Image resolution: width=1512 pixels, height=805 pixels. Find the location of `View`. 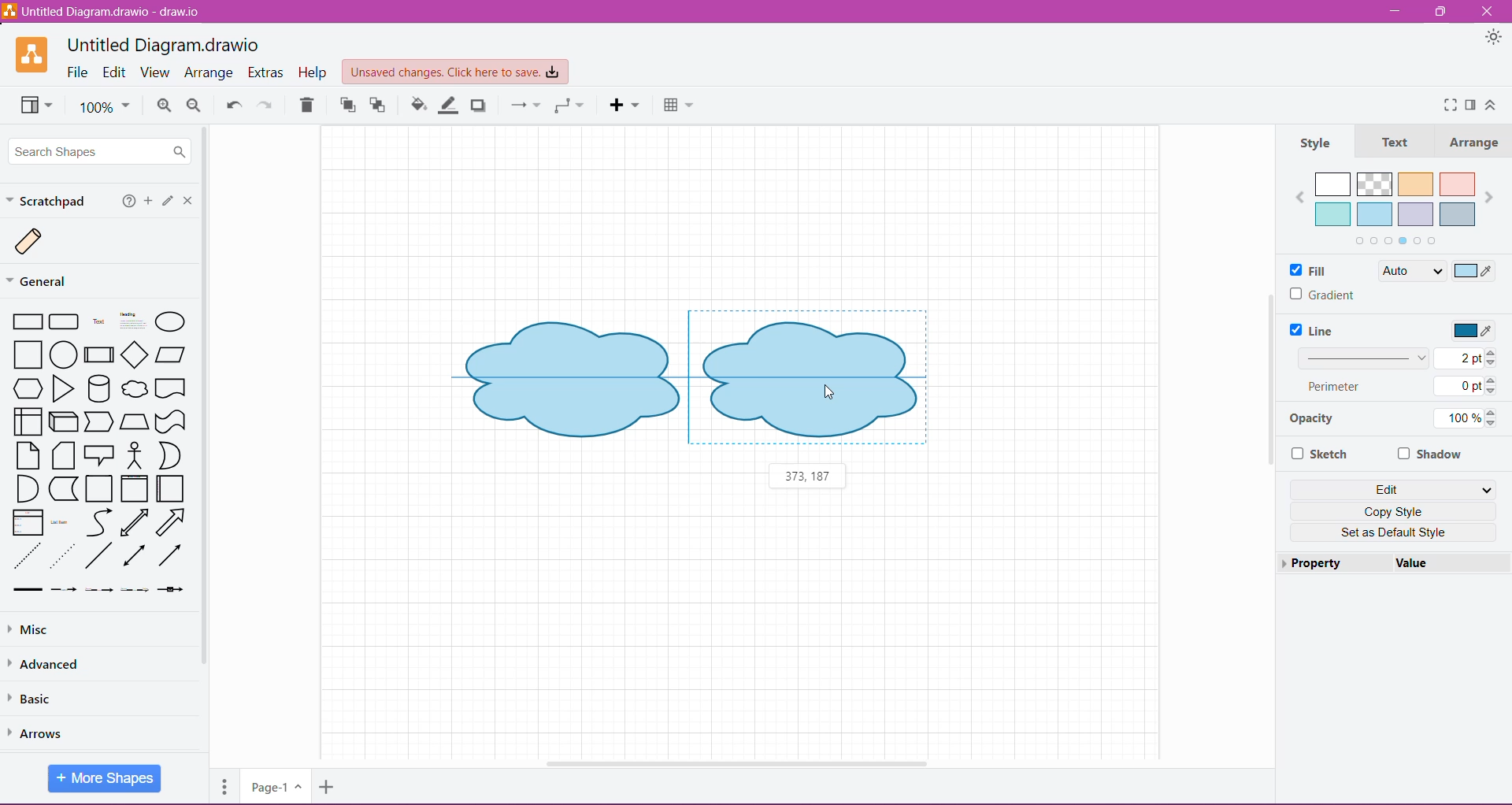

View is located at coordinates (154, 72).